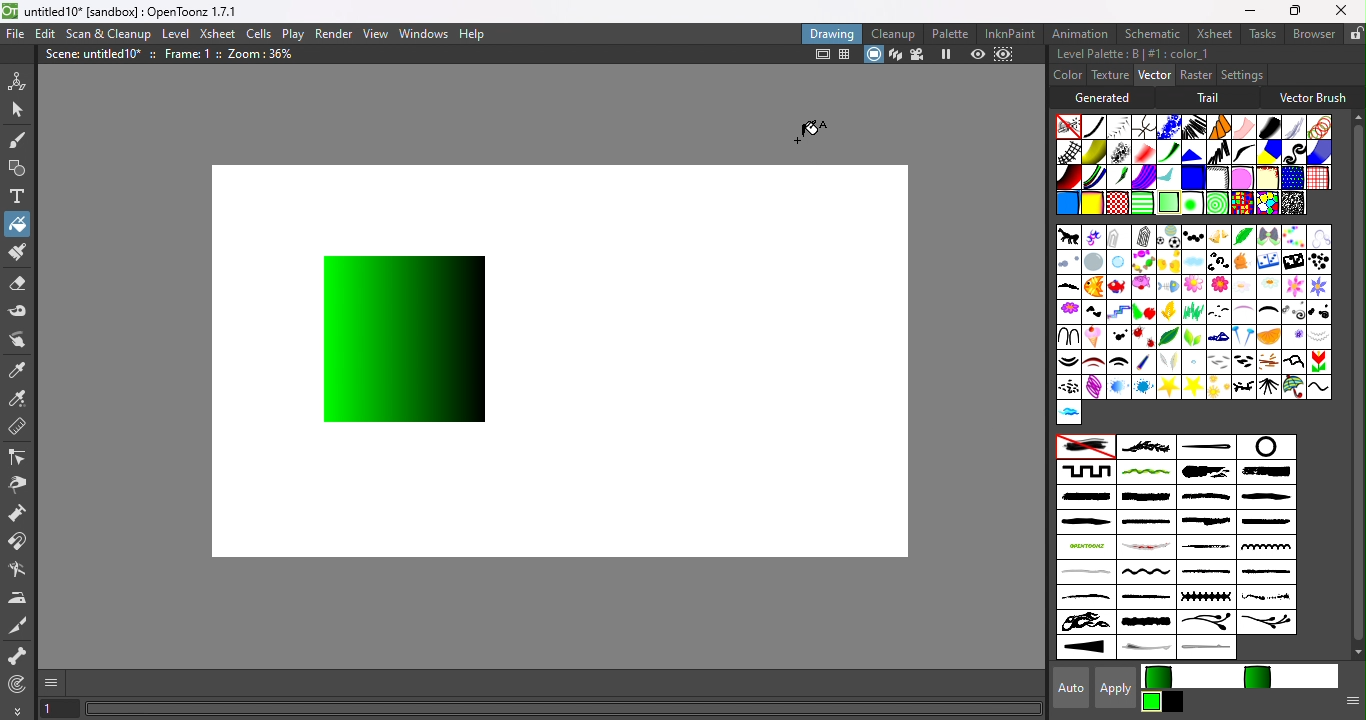  Describe the element at coordinates (1266, 598) in the screenshot. I see `splashes` at that location.